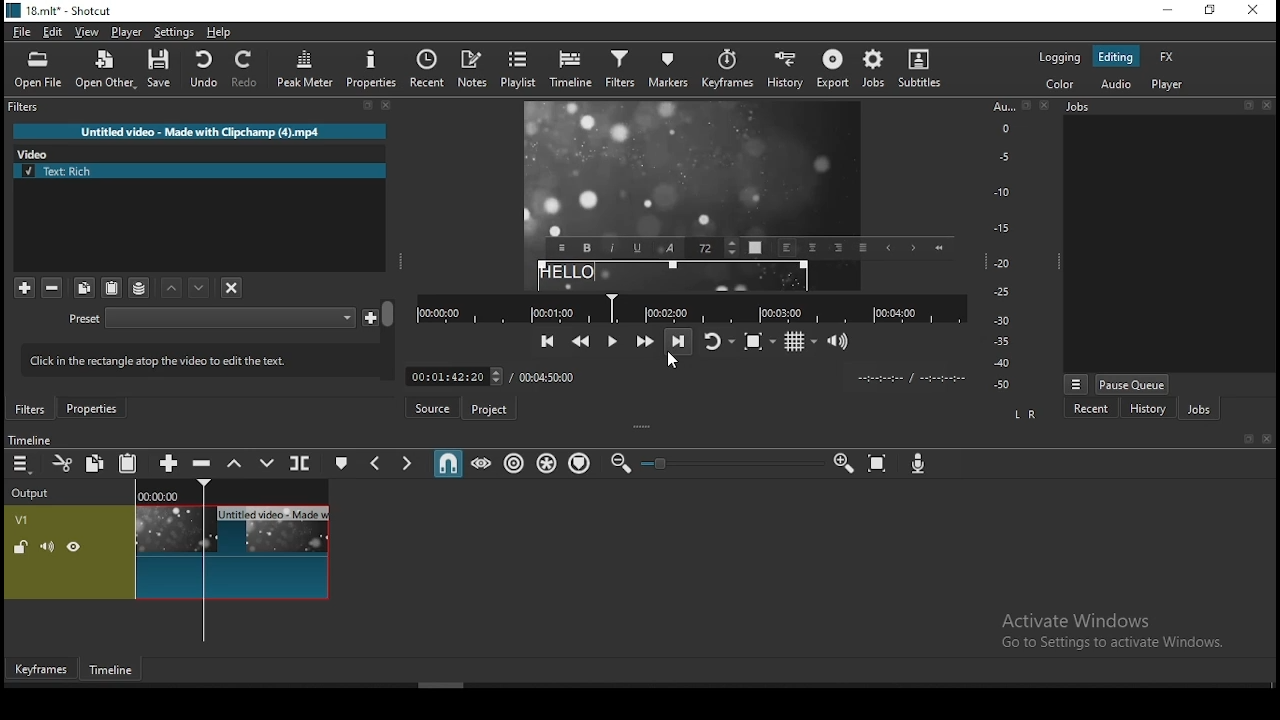 Image resolution: width=1280 pixels, height=720 pixels. What do you see at coordinates (454, 375) in the screenshot?
I see `Frame Time` at bounding box center [454, 375].